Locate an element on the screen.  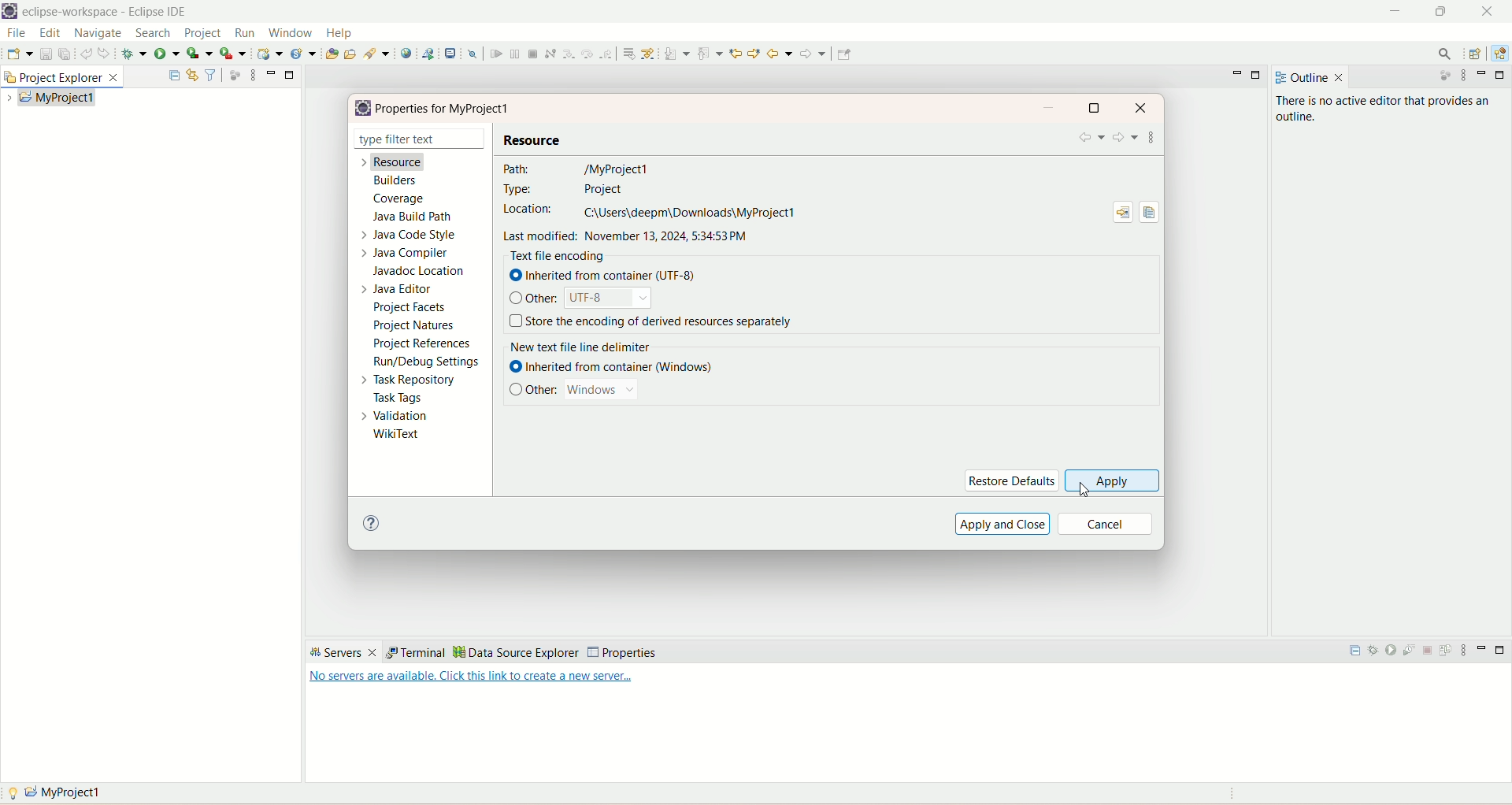
logo is located at coordinates (11, 11).